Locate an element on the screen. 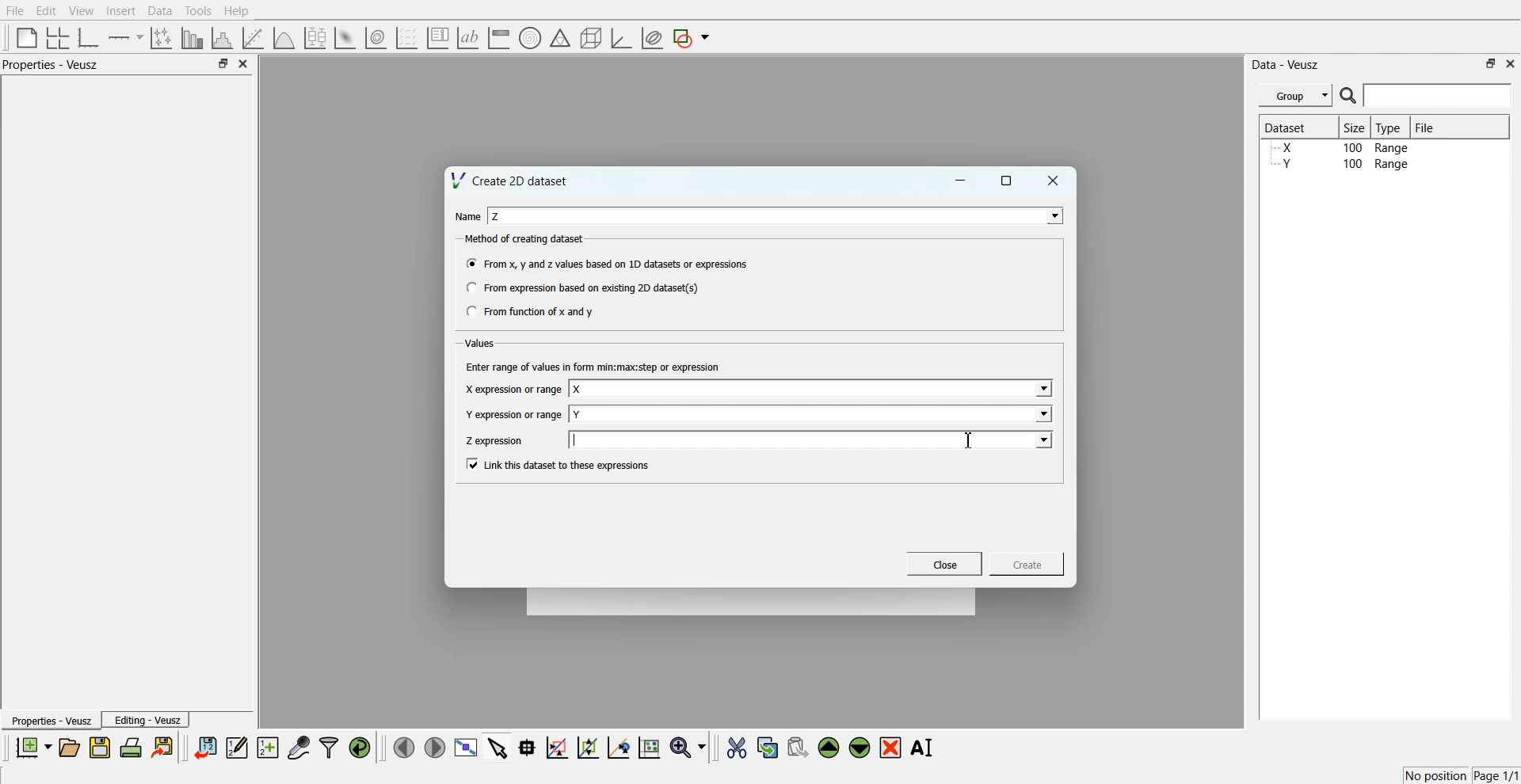  Create new dataset for ranging is located at coordinates (267, 748).